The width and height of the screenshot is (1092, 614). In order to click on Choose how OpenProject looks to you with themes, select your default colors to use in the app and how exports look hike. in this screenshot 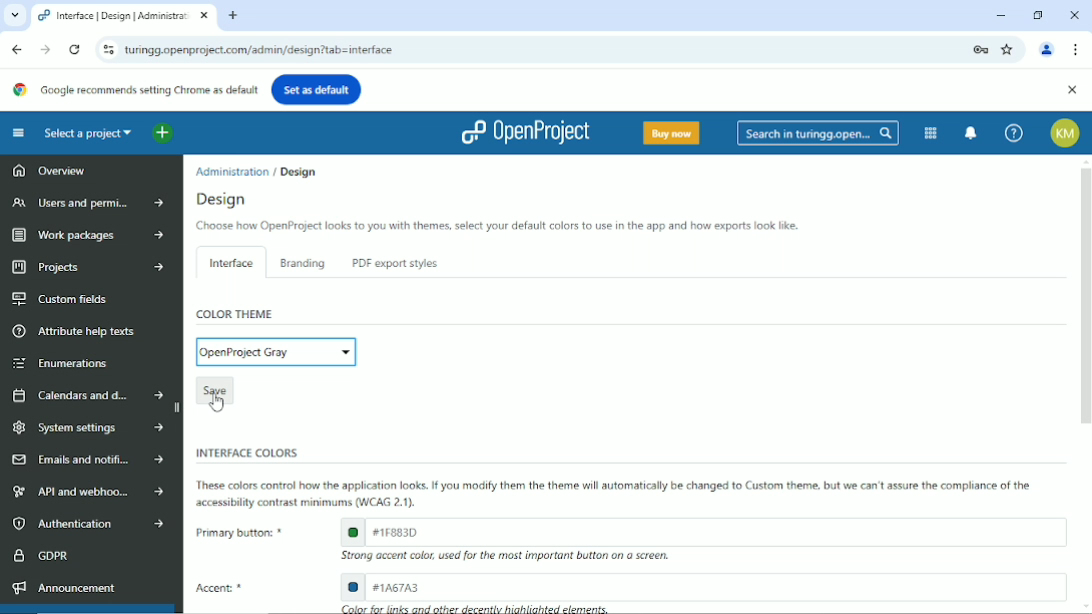, I will do `click(495, 227)`.